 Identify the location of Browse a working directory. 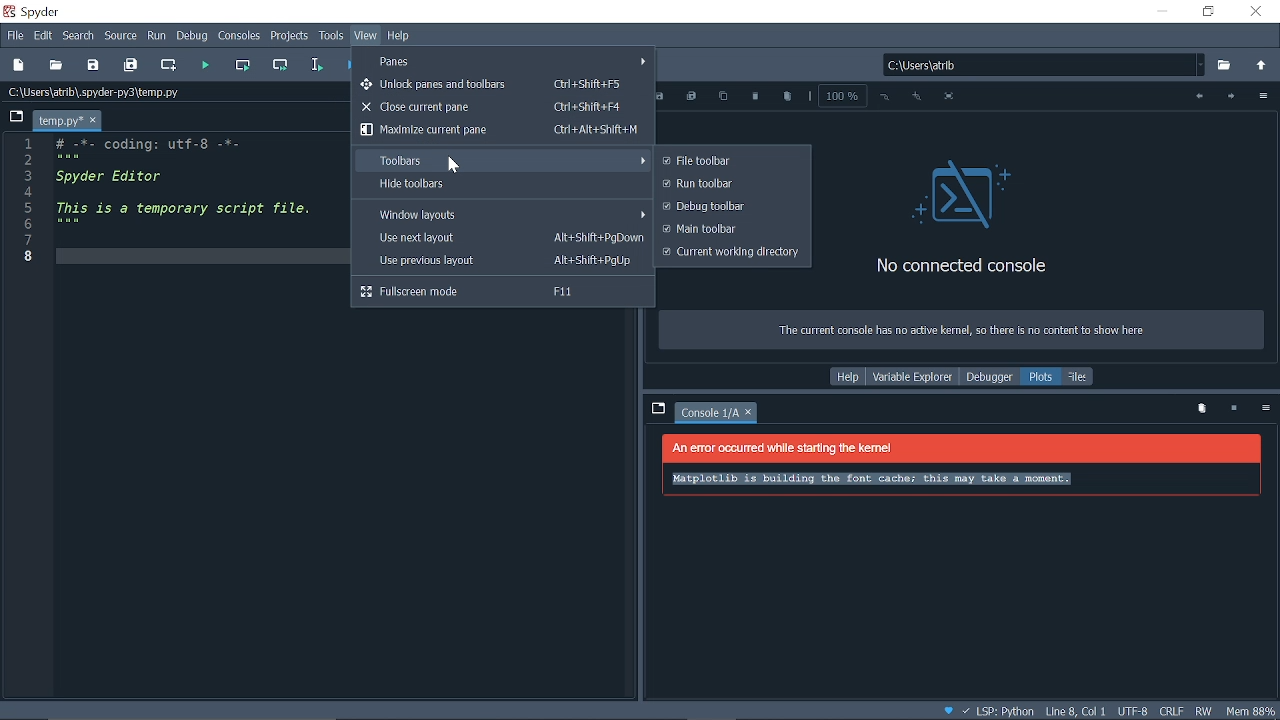
(1226, 66).